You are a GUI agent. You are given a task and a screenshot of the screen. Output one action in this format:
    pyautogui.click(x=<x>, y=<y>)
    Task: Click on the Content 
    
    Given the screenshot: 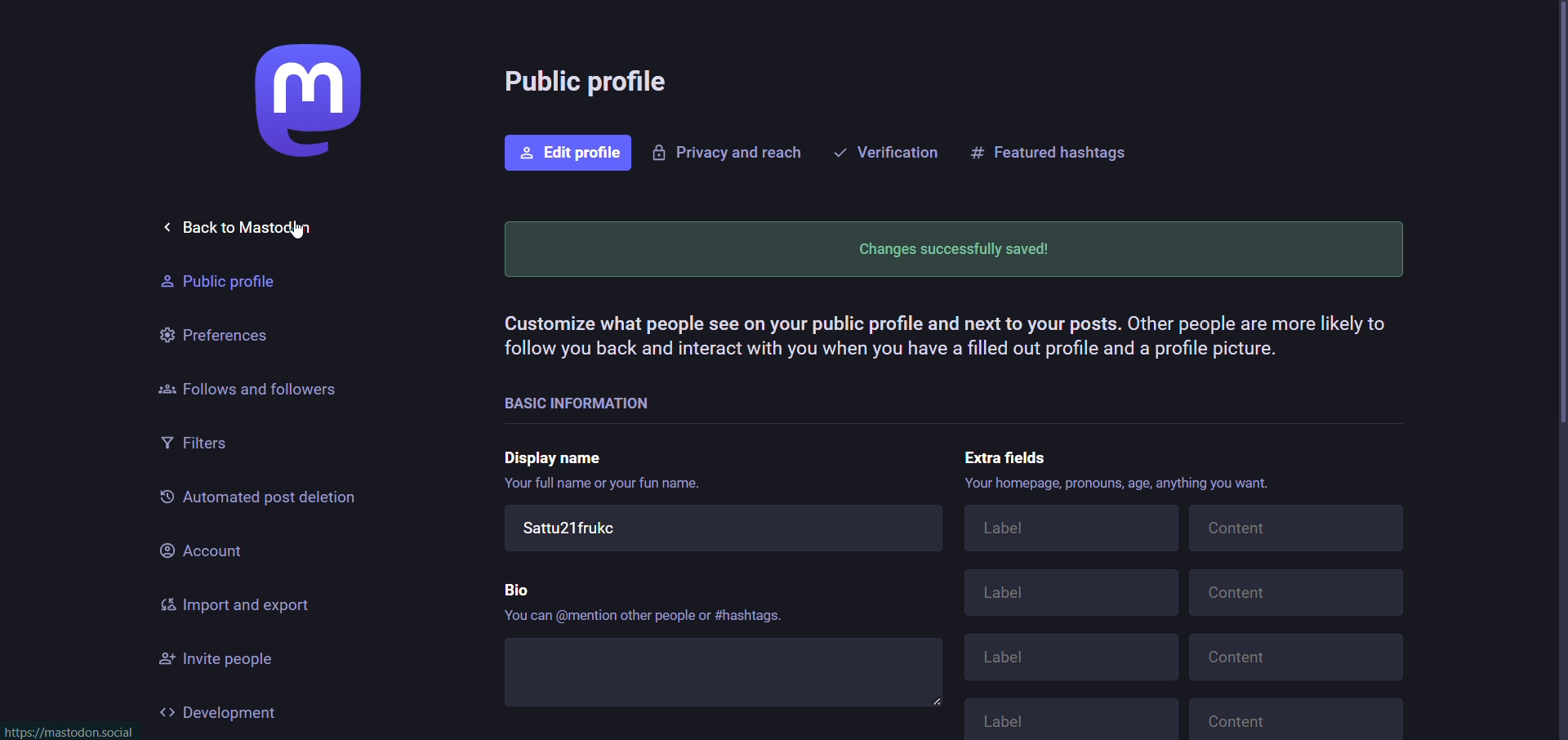 What is the action you would take?
    pyautogui.click(x=1303, y=717)
    